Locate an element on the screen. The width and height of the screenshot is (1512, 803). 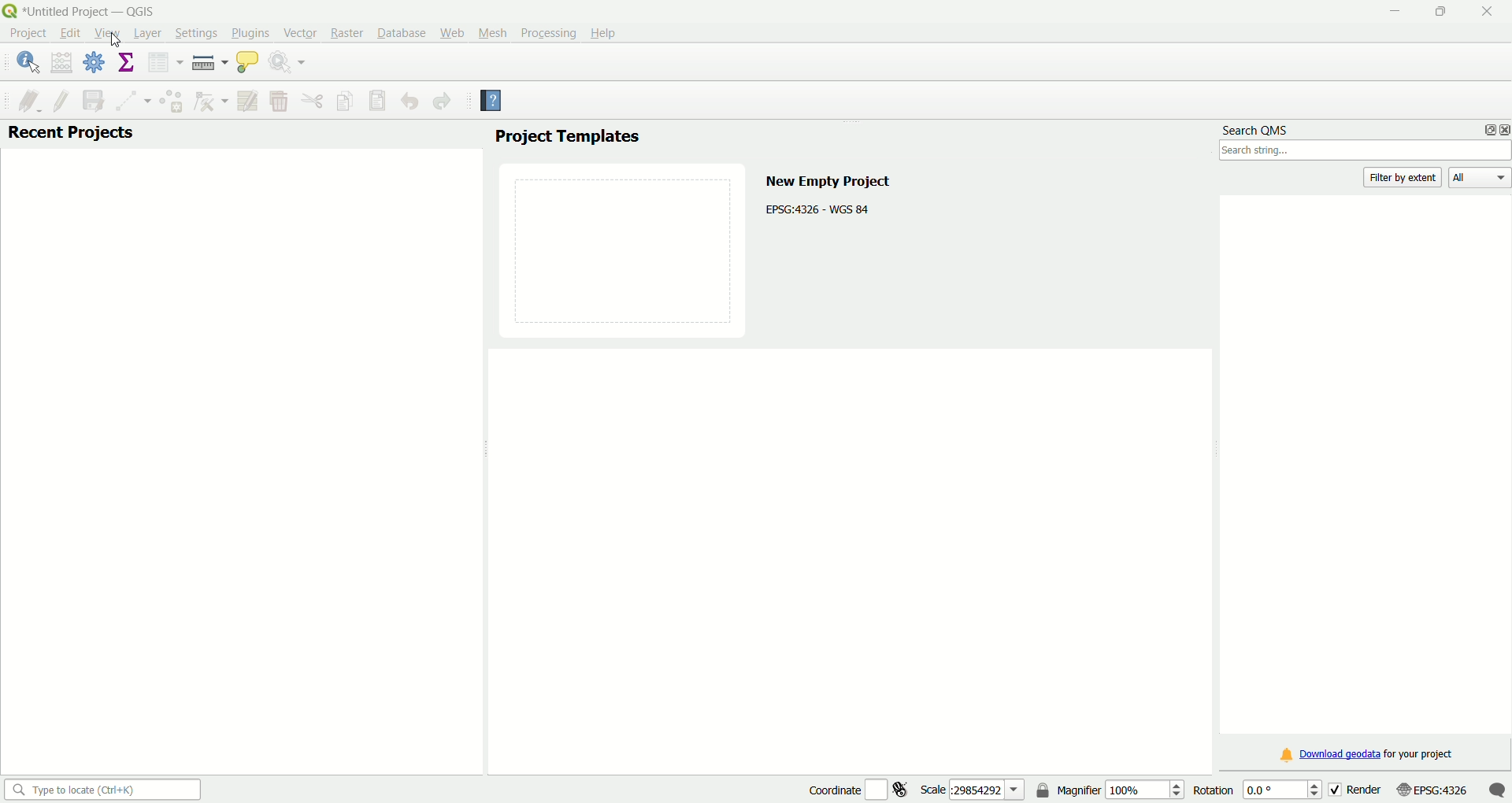
delete selected is located at coordinates (278, 102).